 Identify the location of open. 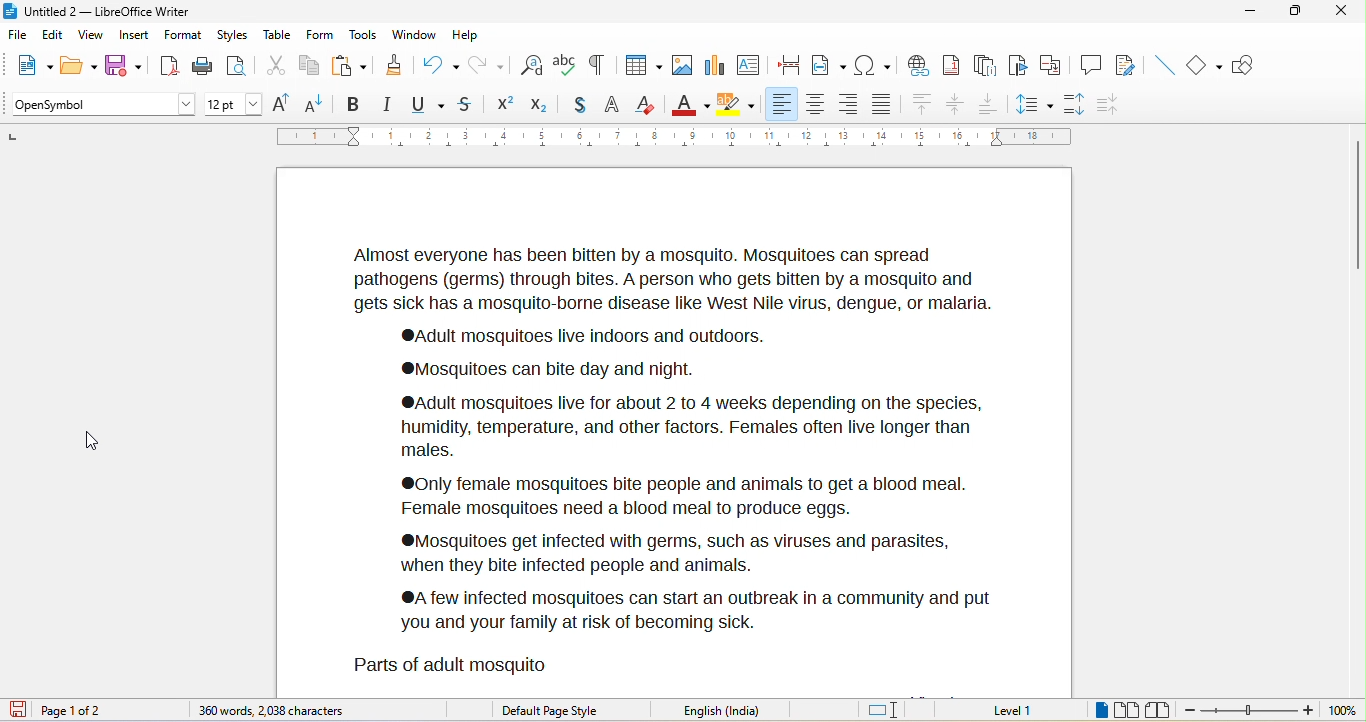
(78, 64).